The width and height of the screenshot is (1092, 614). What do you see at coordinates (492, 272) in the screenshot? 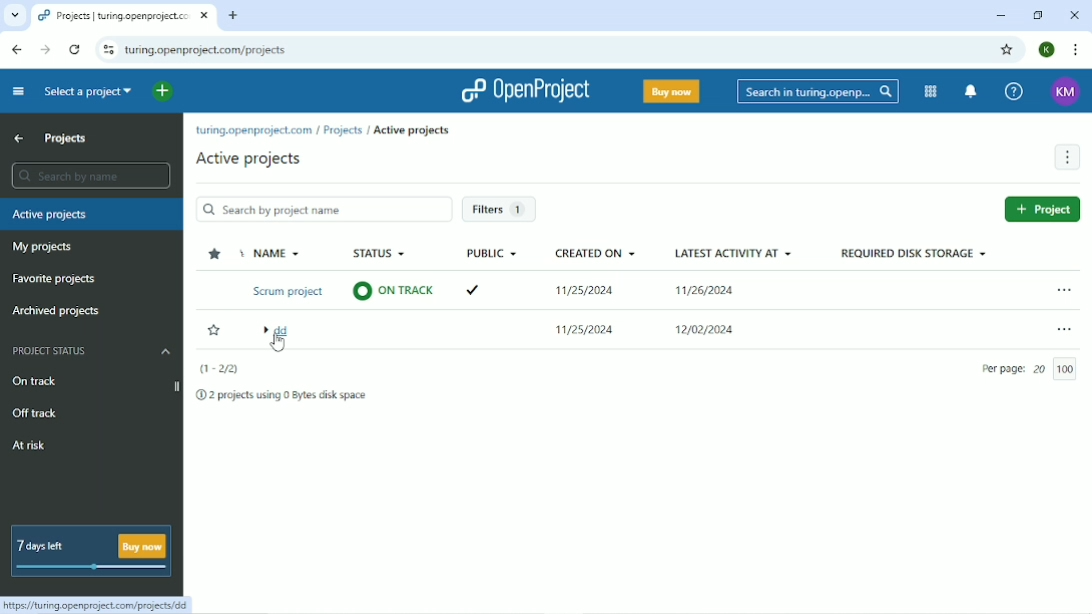
I see `Public` at bounding box center [492, 272].